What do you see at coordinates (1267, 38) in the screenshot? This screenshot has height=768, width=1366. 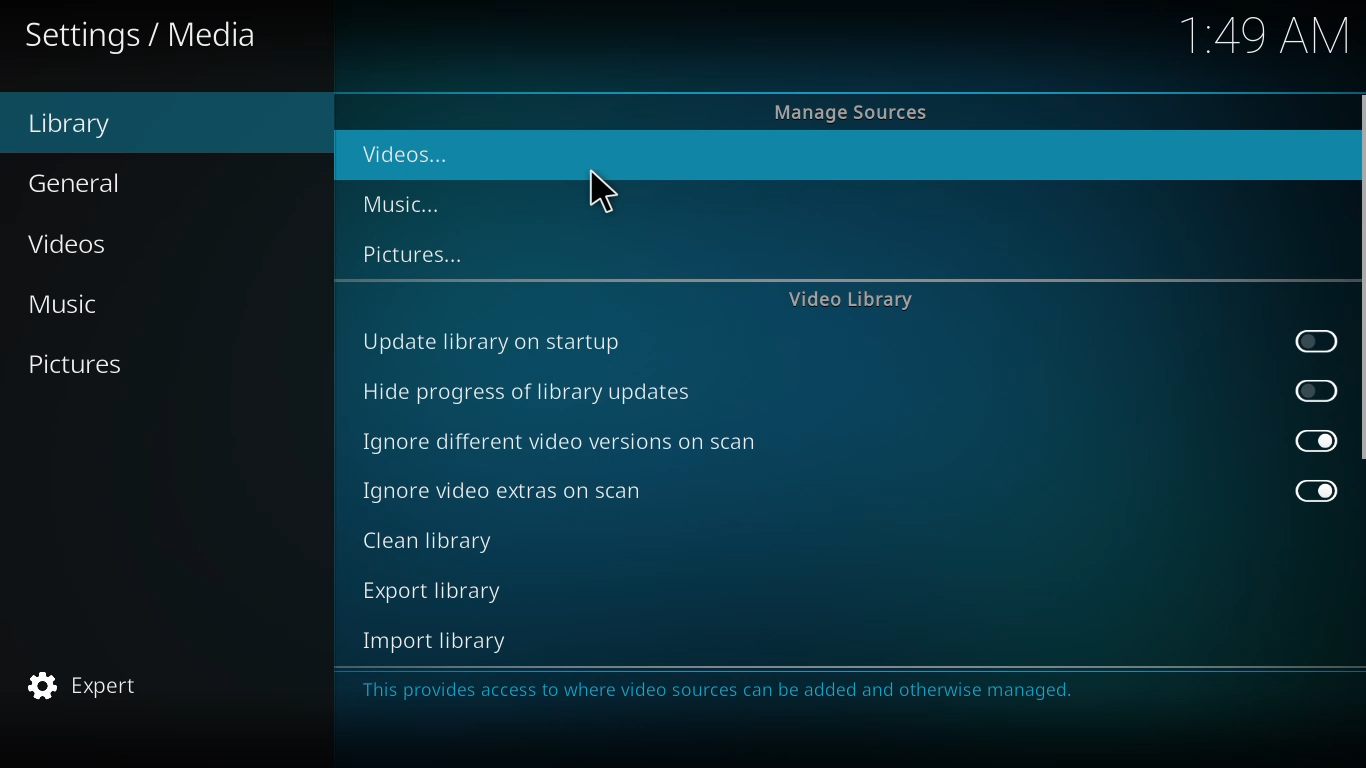 I see `time` at bounding box center [1267, 38].